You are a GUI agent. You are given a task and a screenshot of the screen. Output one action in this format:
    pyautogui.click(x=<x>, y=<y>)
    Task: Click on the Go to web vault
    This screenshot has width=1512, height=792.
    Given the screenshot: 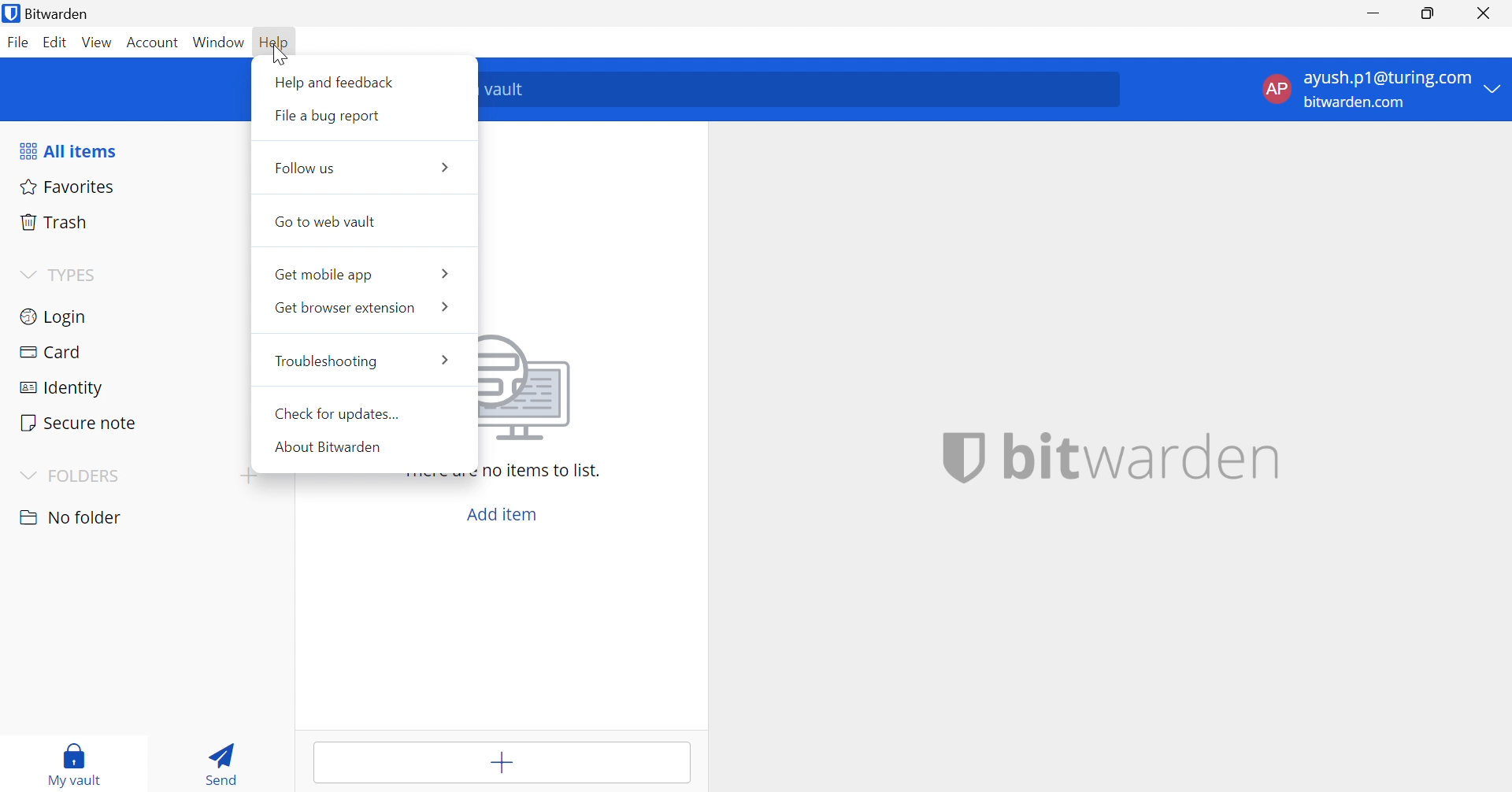 What is the action you would take?
    pyautogui.click(x=363, y=222)
    